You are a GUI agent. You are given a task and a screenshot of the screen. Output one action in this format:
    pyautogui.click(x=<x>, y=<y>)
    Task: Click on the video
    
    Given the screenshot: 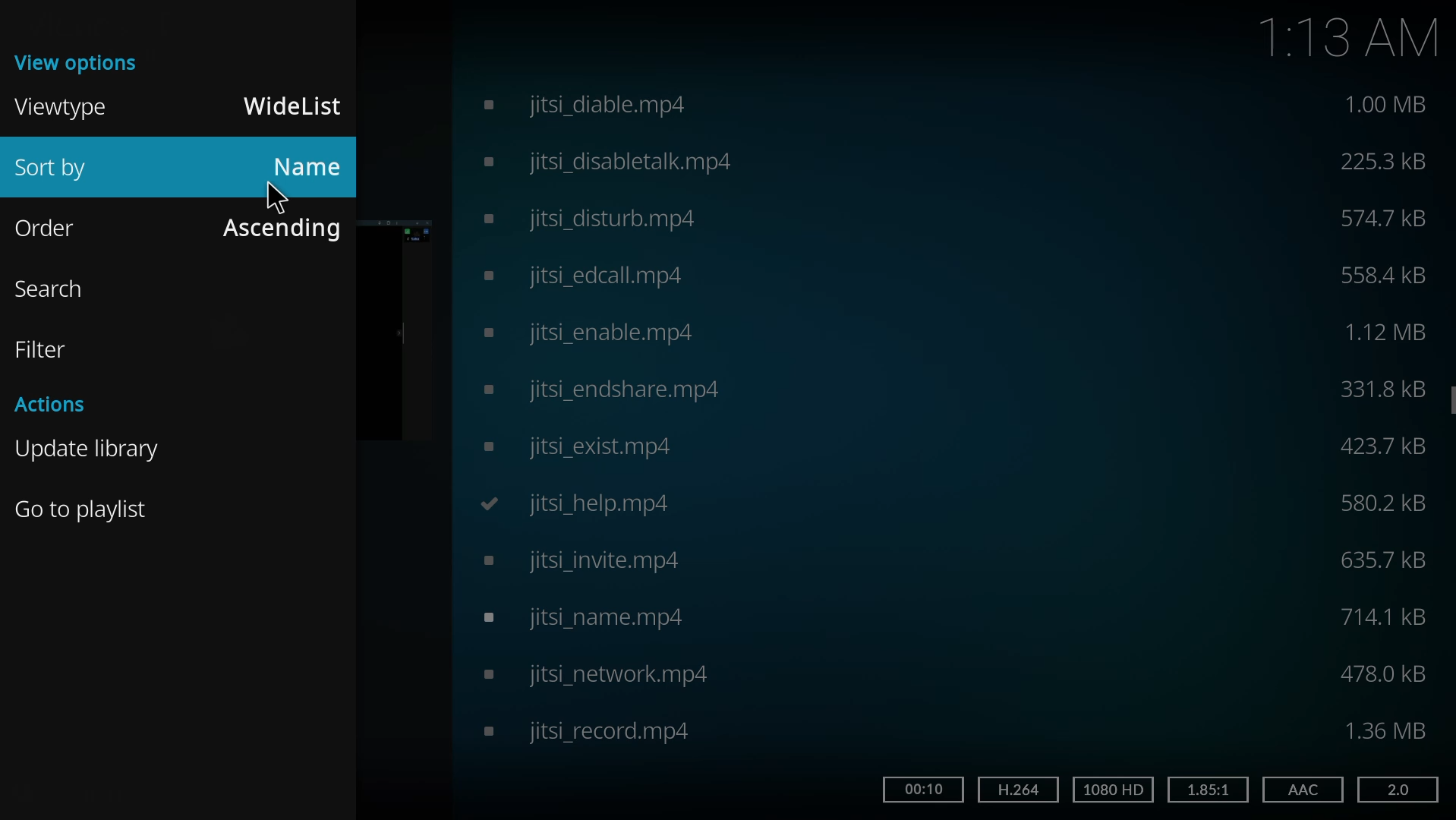 What is the action you would take?
    pyautogui.click(x=594, y=333)
    